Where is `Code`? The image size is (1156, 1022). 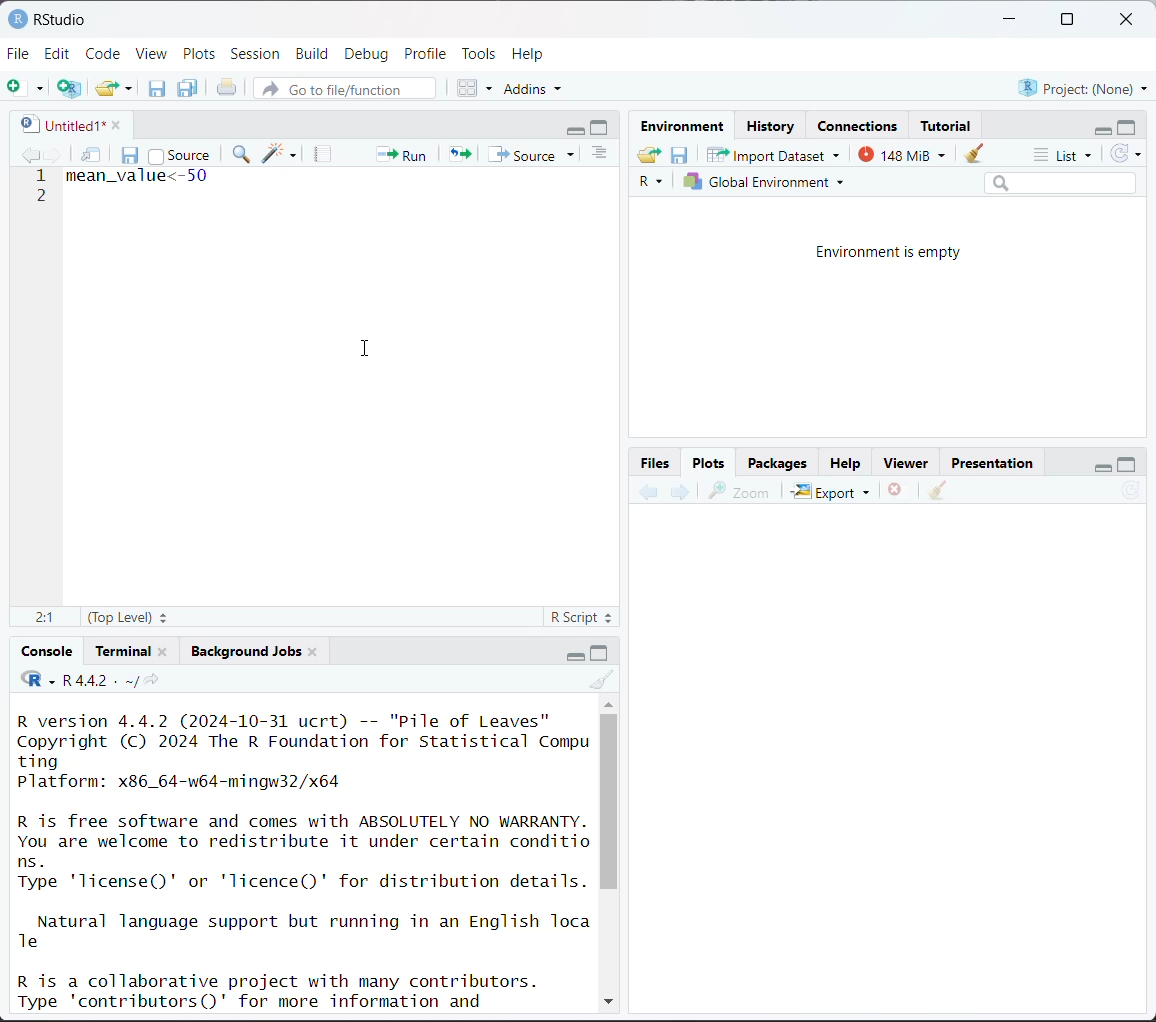
Code is located at coordinates (105, 52).